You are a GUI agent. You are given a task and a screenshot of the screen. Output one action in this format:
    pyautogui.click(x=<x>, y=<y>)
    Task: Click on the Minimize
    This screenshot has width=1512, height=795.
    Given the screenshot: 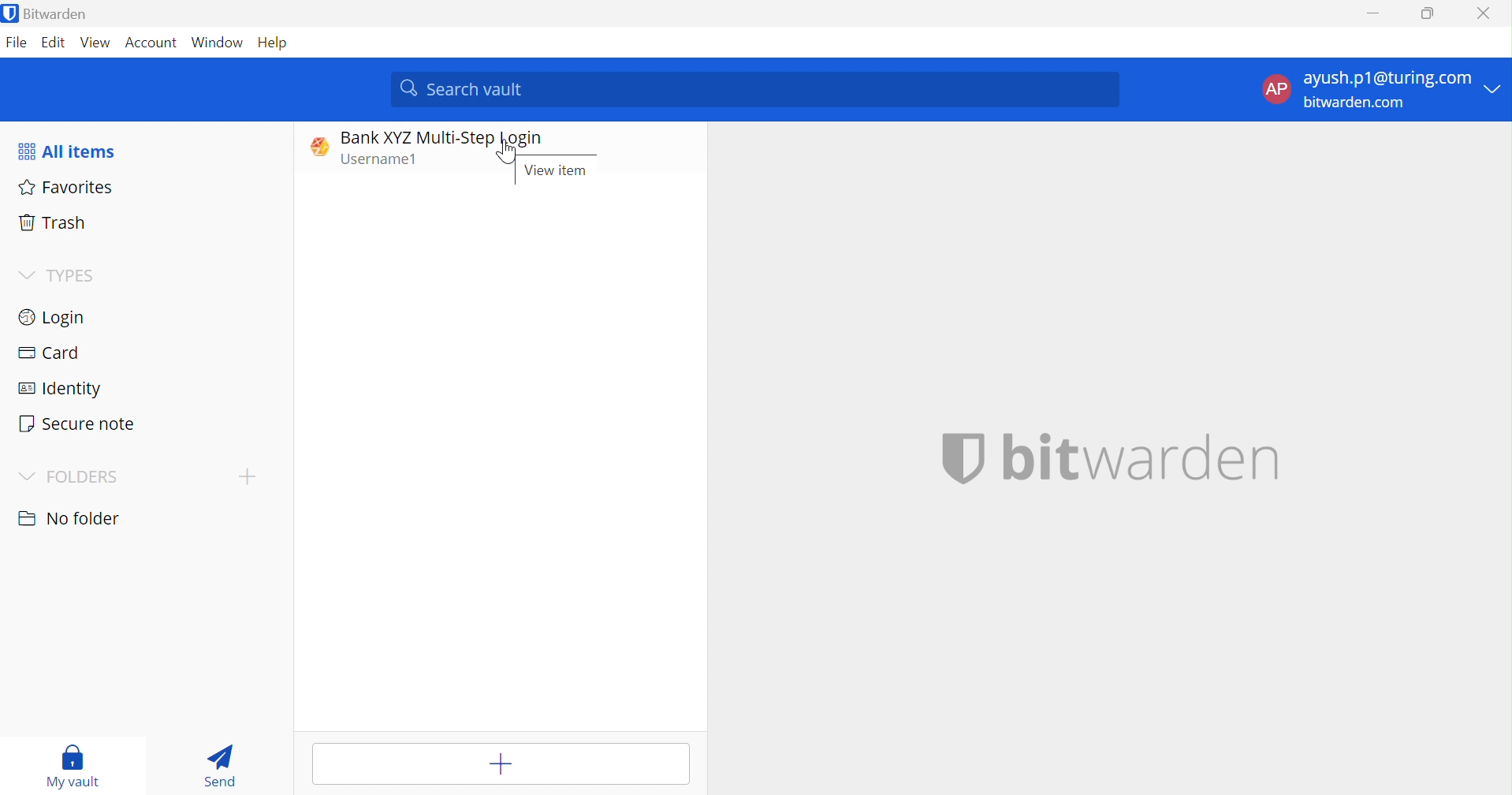 What is the action you would take?
    pyautogui.click(x=1371, y=15)
    